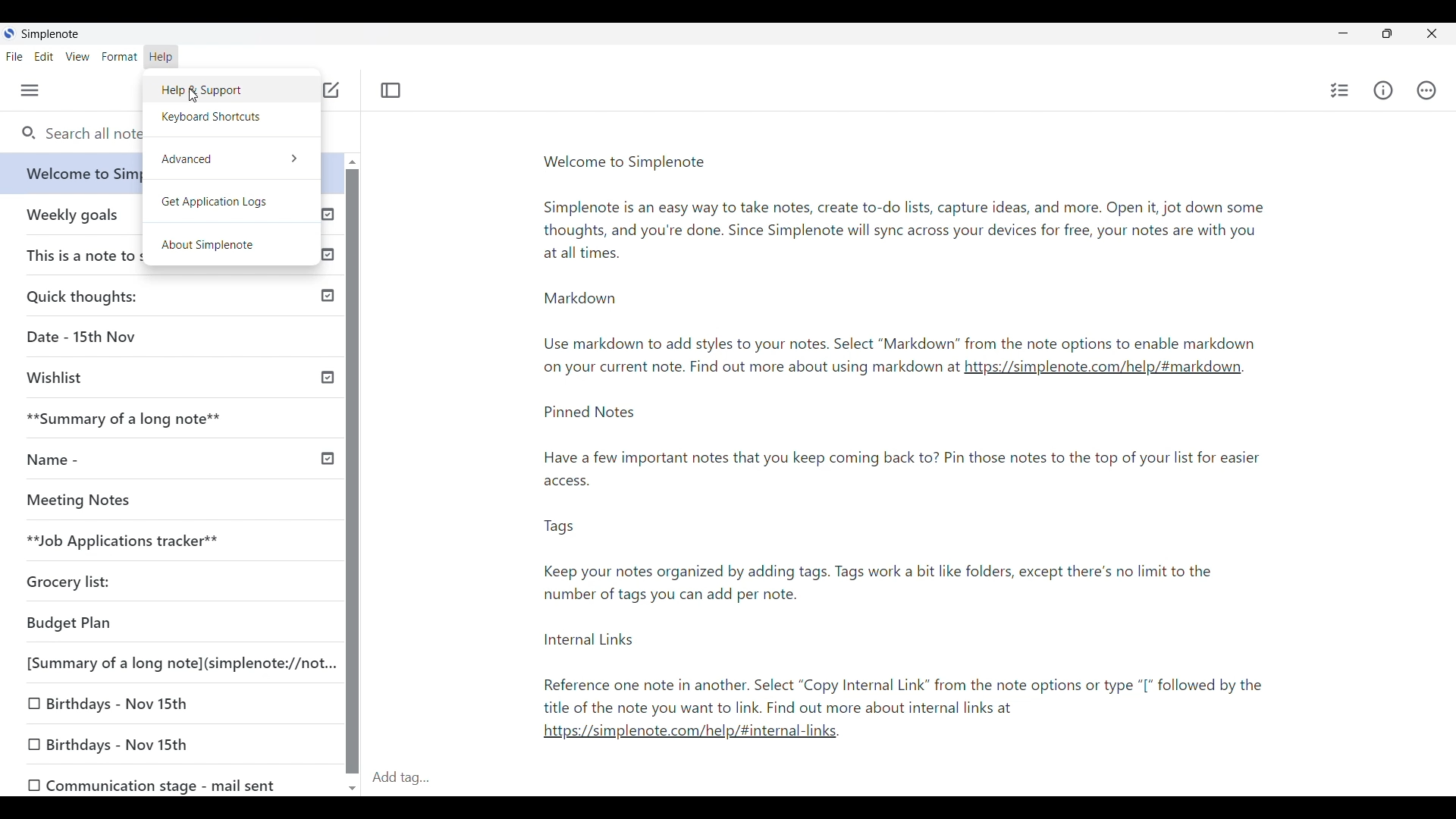  Describe the element at coordinates (171, 664) in the screenshot. I see `[Summary of a long note](simplenote://not` at that location.